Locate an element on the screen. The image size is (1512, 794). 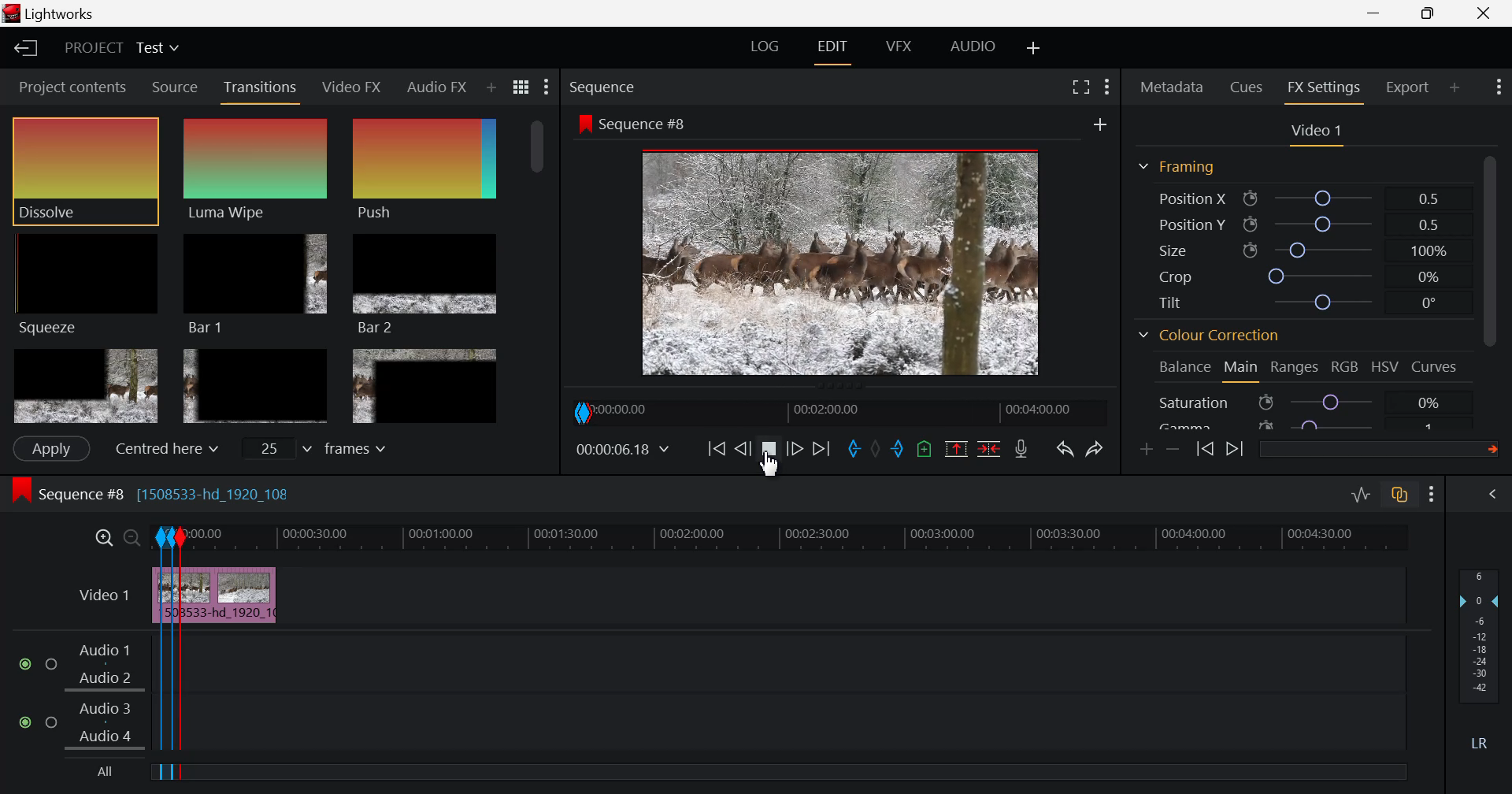
Back to Homepage is located at coordinates (20, 50).